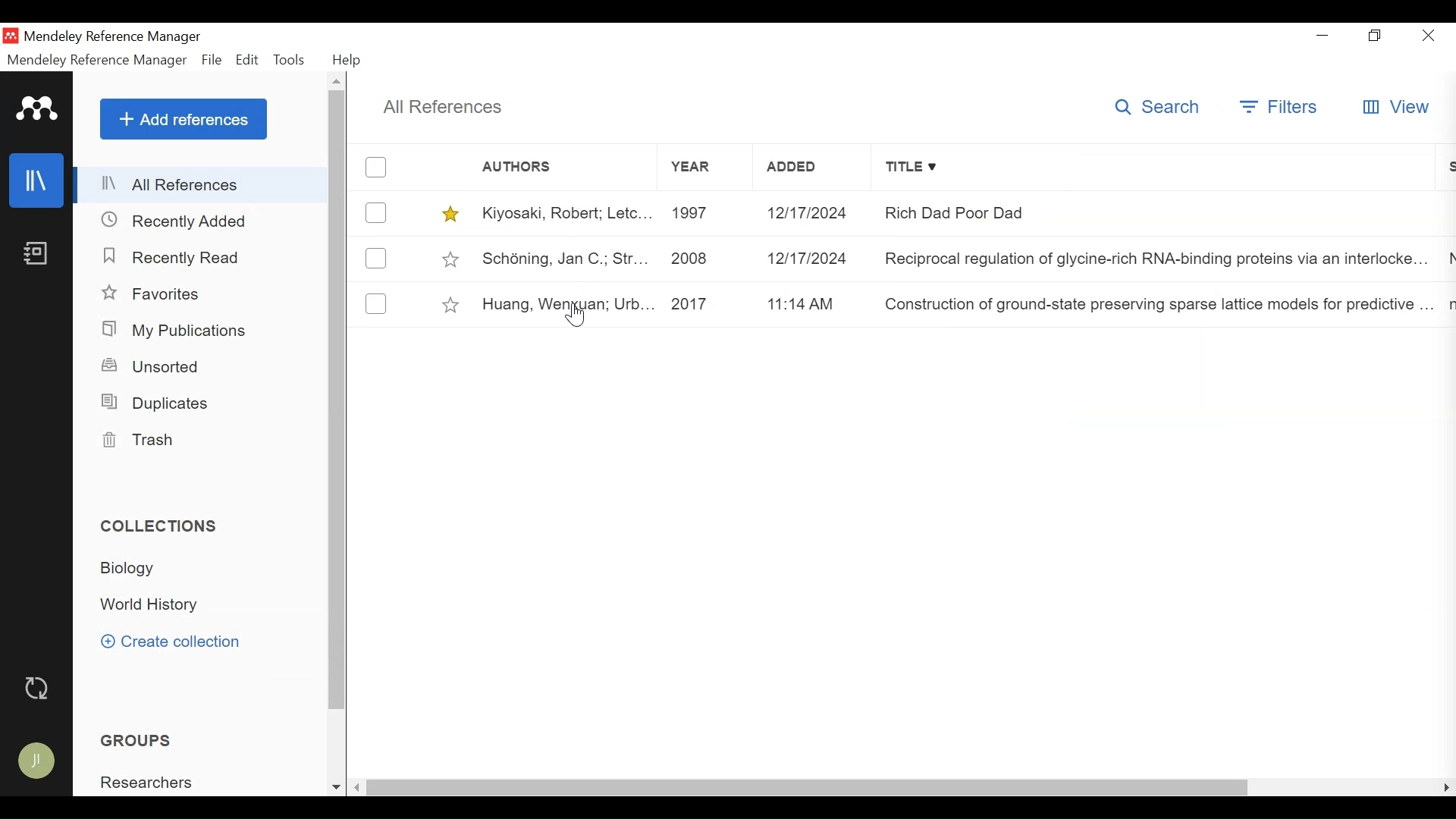  Describe the element at coordinates (153, 366) in the screenshot. I see `Unsorted` at that location.